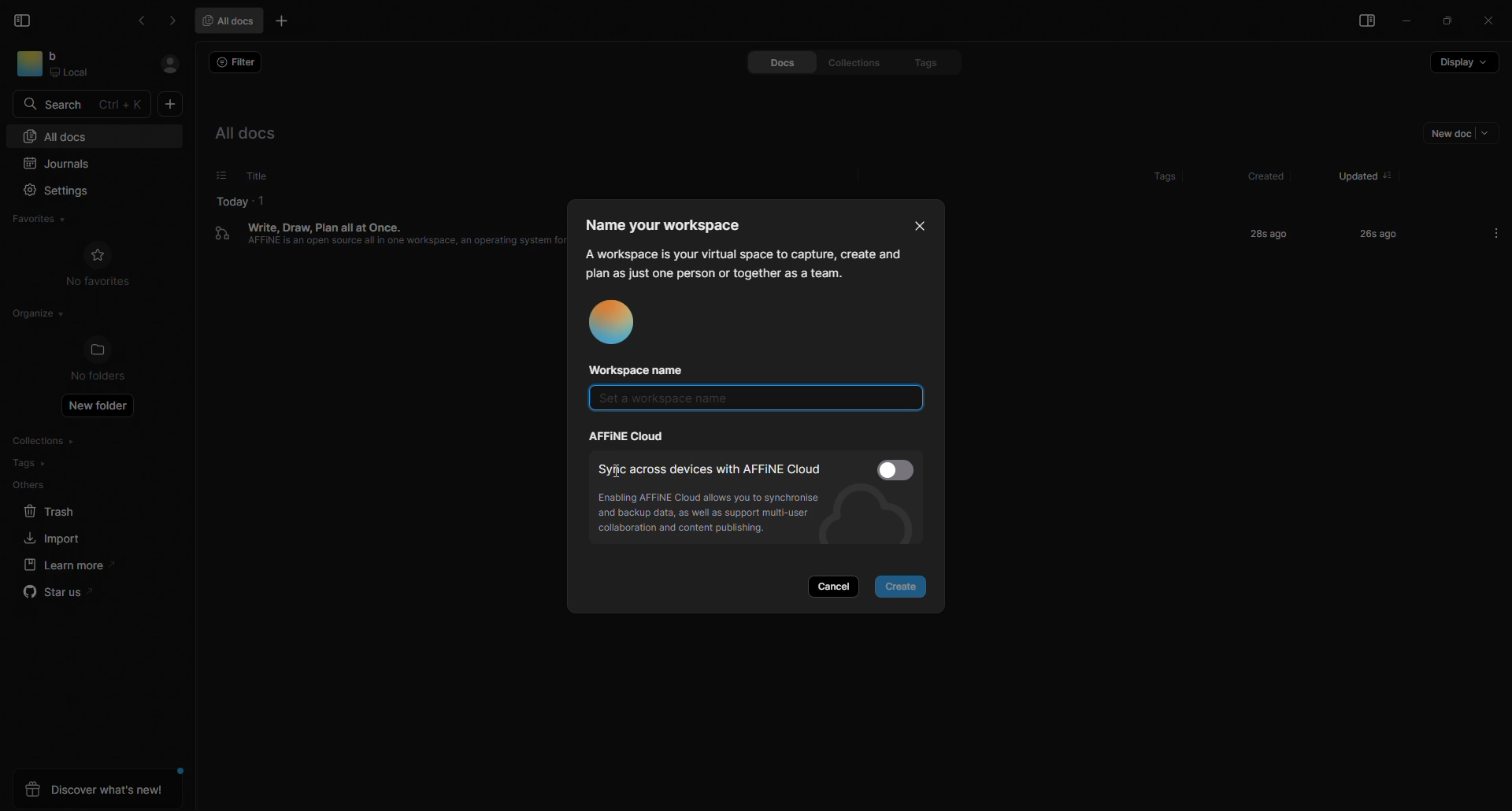  What do you see at coordinates (284, 23) in the screenshot?
I see `new tab` at bounding box center [284, 23].